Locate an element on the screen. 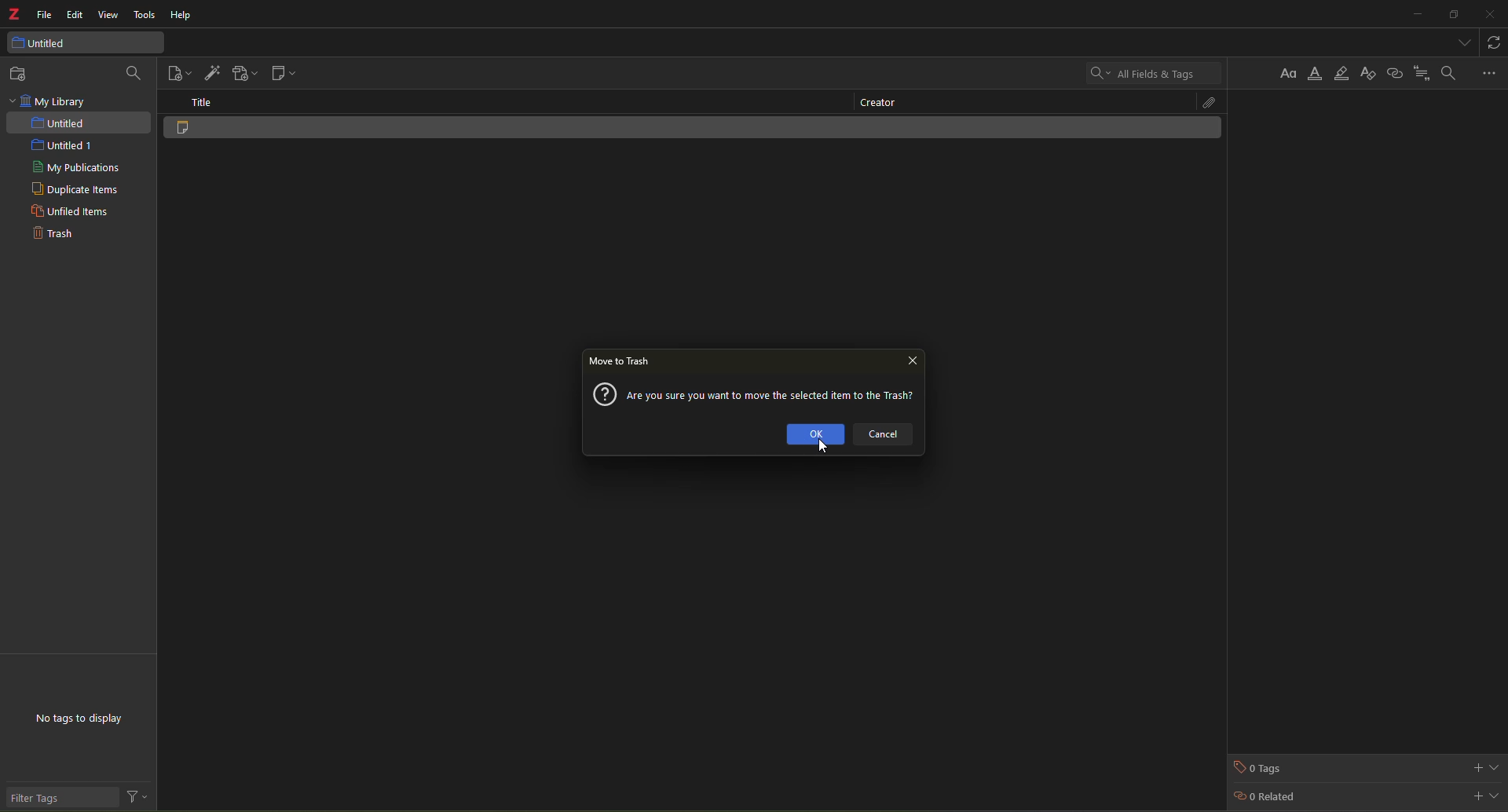 This screenshot has width=1508, height=812. text color is located at coordinates (1316, 75).